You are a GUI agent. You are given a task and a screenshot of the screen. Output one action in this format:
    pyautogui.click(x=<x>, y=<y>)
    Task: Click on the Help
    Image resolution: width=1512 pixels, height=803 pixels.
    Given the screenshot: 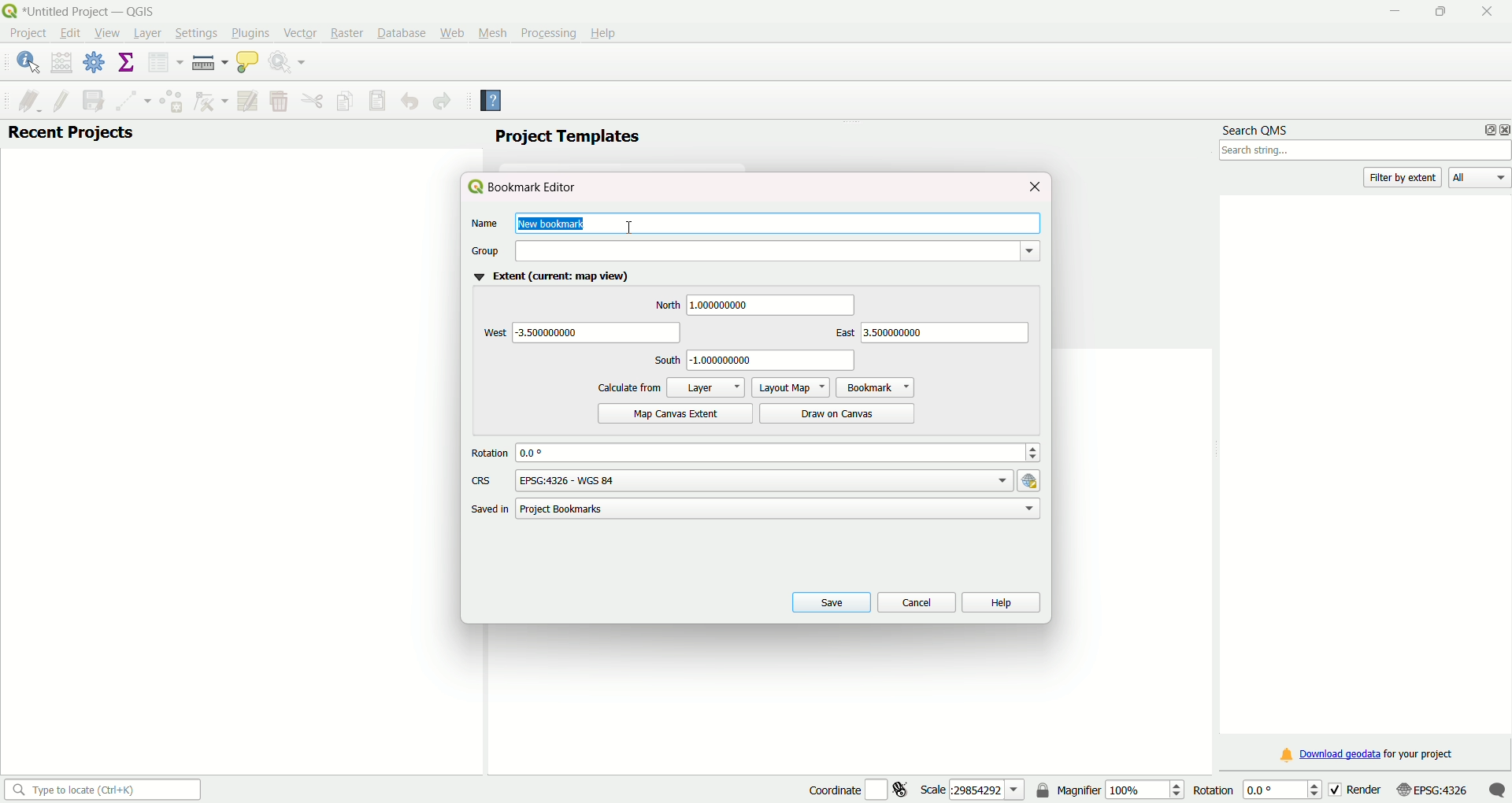 What is the action you would take?
    pyautogui.click(x=606, y=31)
    